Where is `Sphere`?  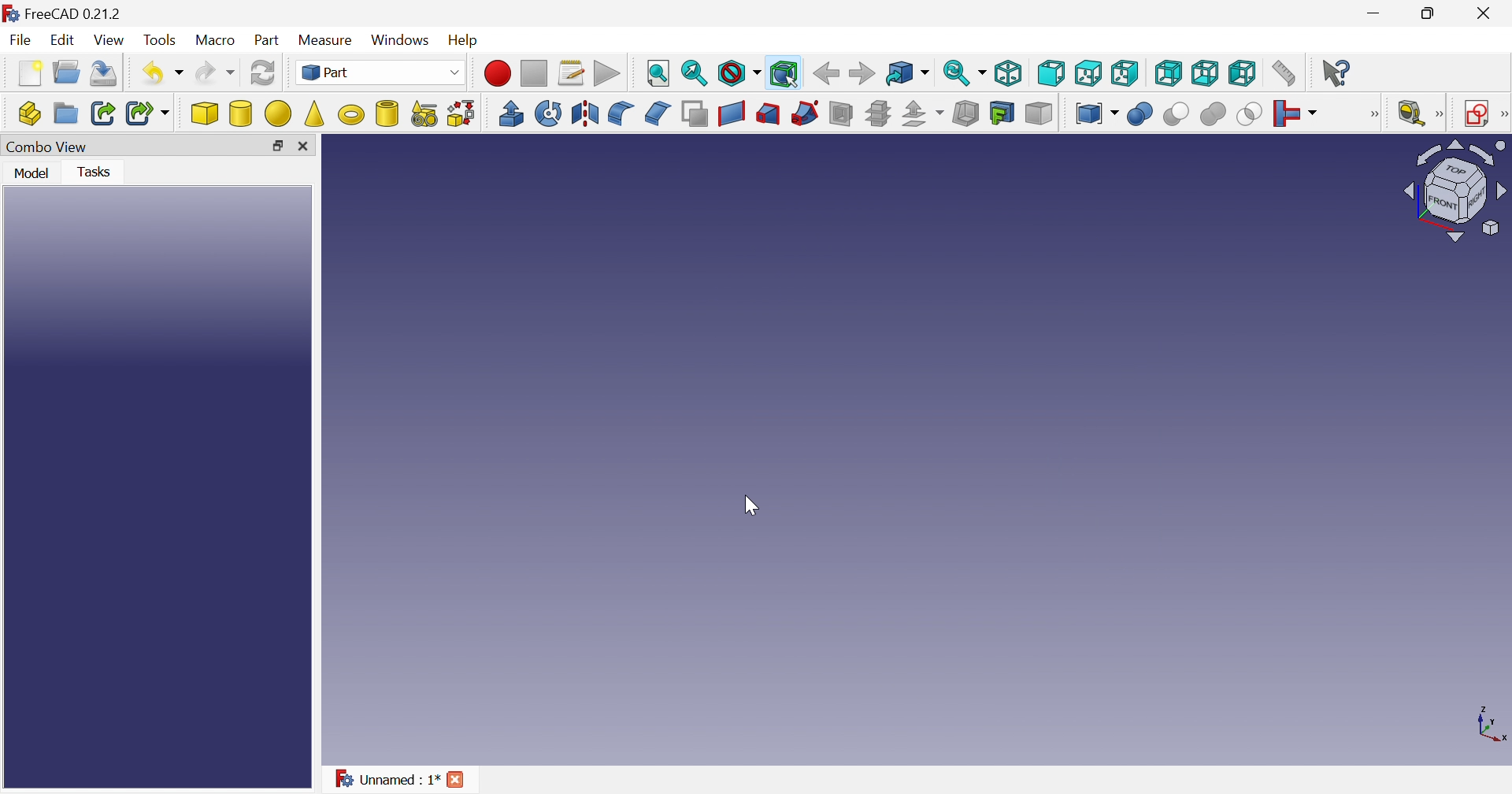
Sphere is located at coordinates (279, 113).